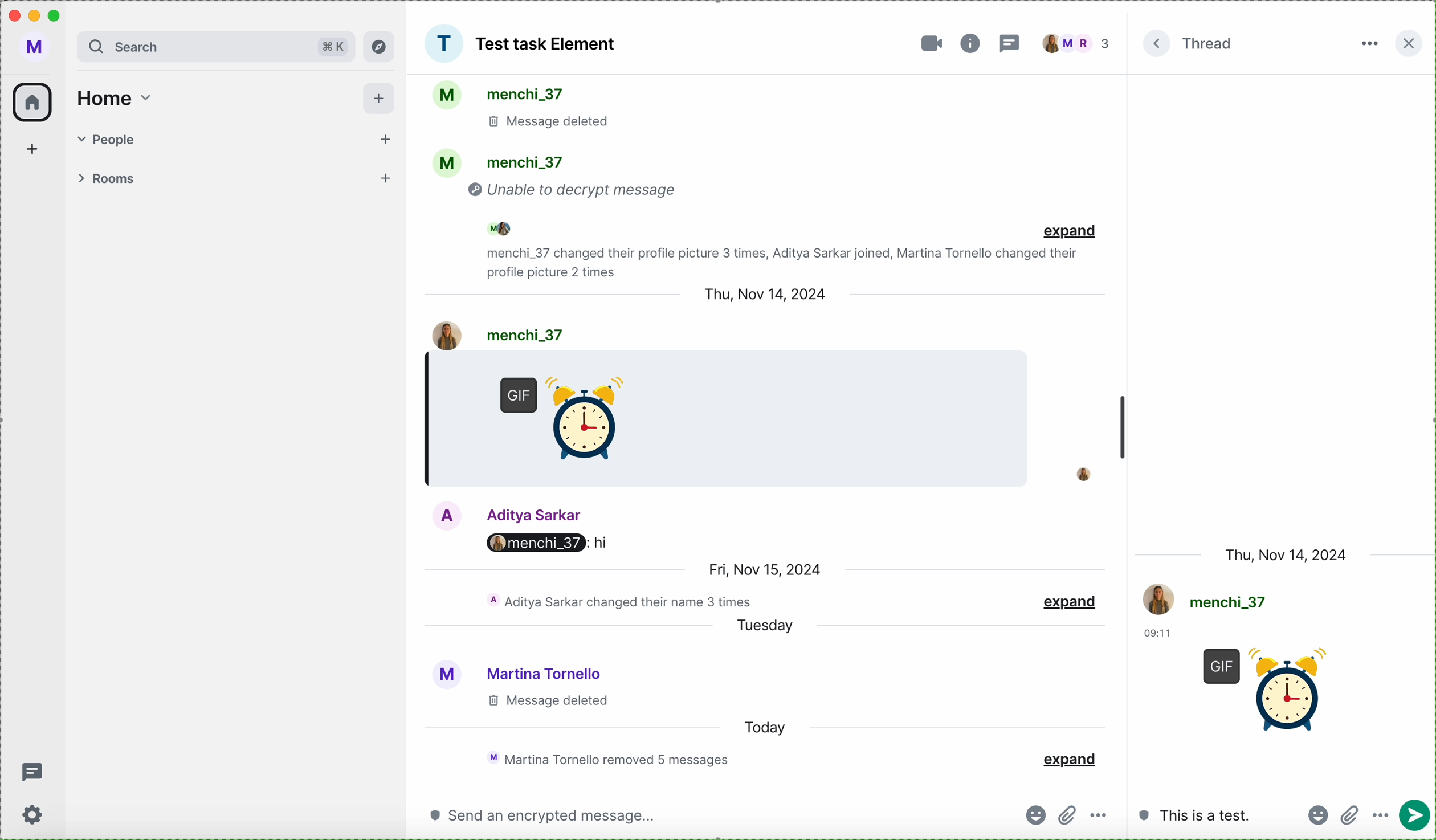 The image size is (1436, 840). Describe the element at coordinates (1266, 688) in the screenshot. I see `GIF` at that location.